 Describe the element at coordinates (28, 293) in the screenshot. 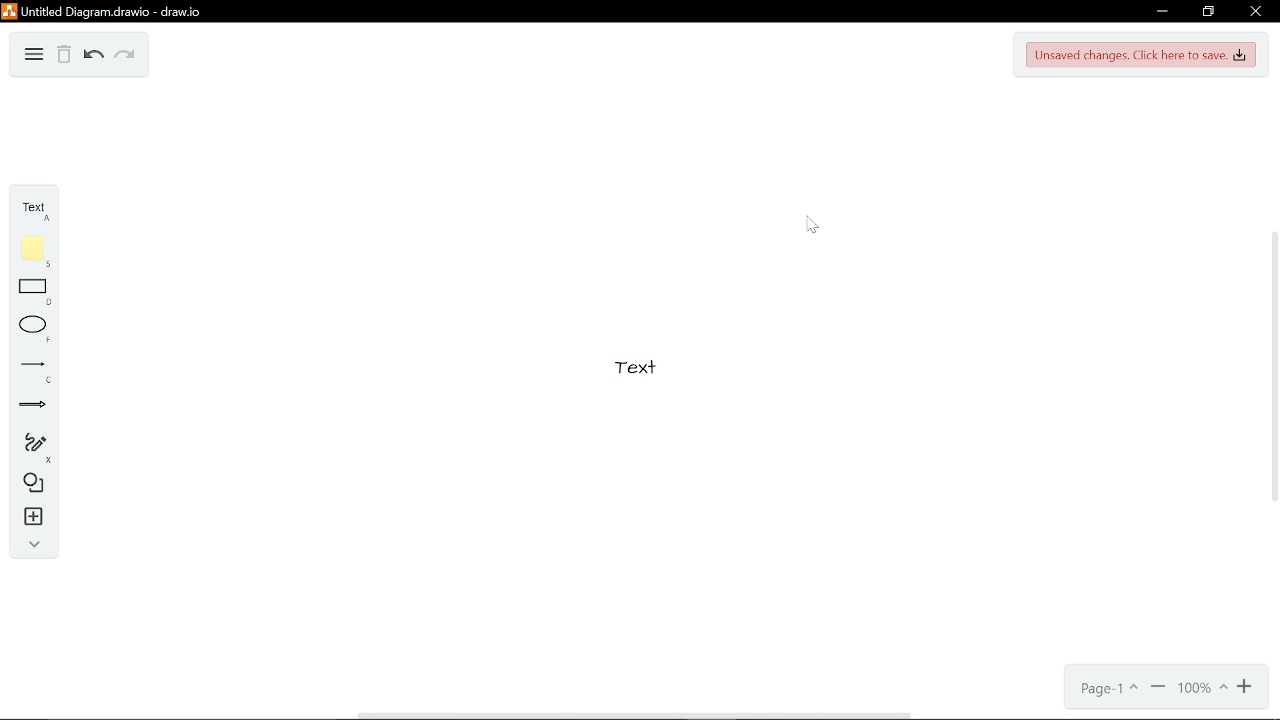

I see `Rectangle` at that location.